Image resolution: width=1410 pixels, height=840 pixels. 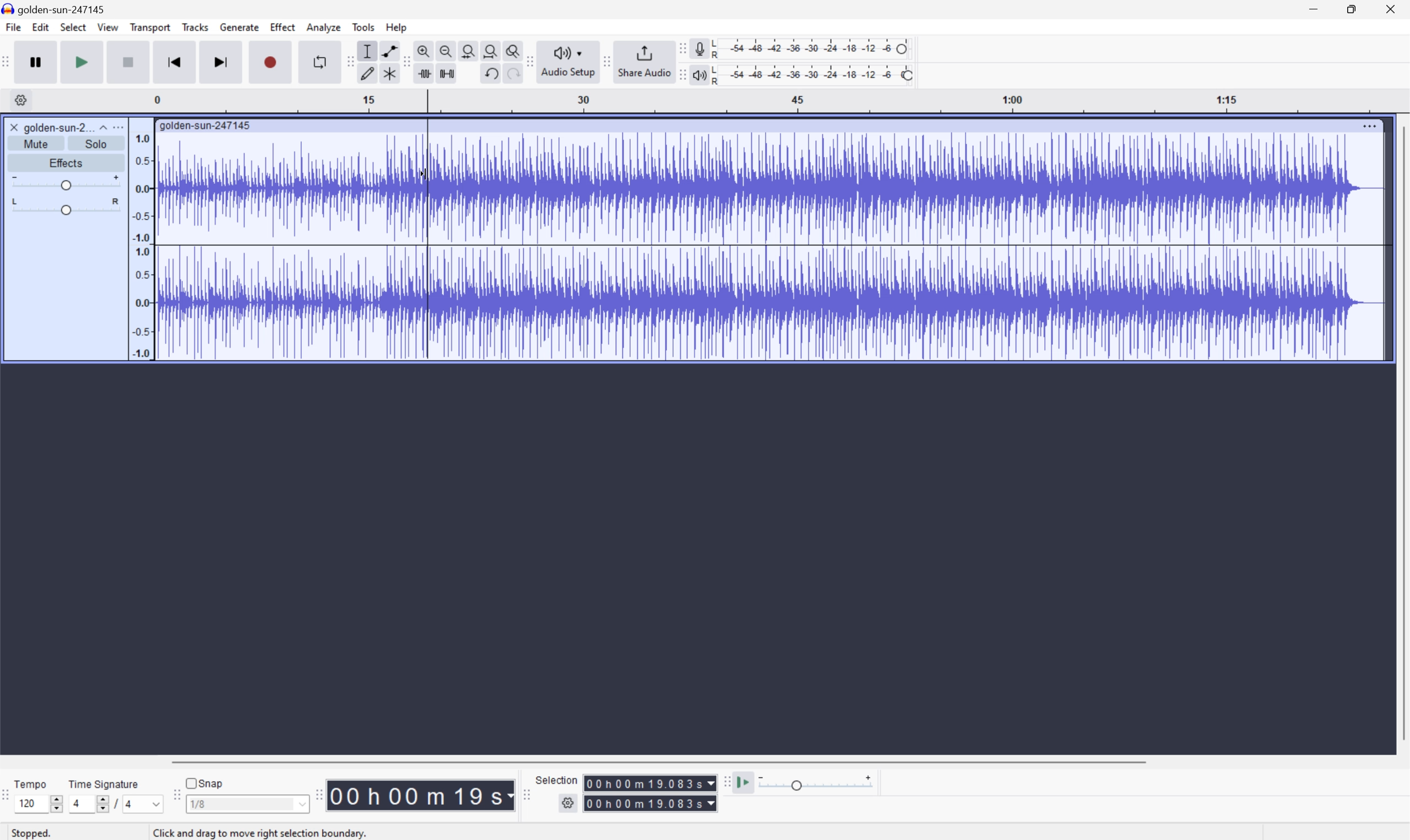 What do you see at coordinates (446, 72) in the screenshot?
I see `Silence audio selection` at bounding box center [446, 72].